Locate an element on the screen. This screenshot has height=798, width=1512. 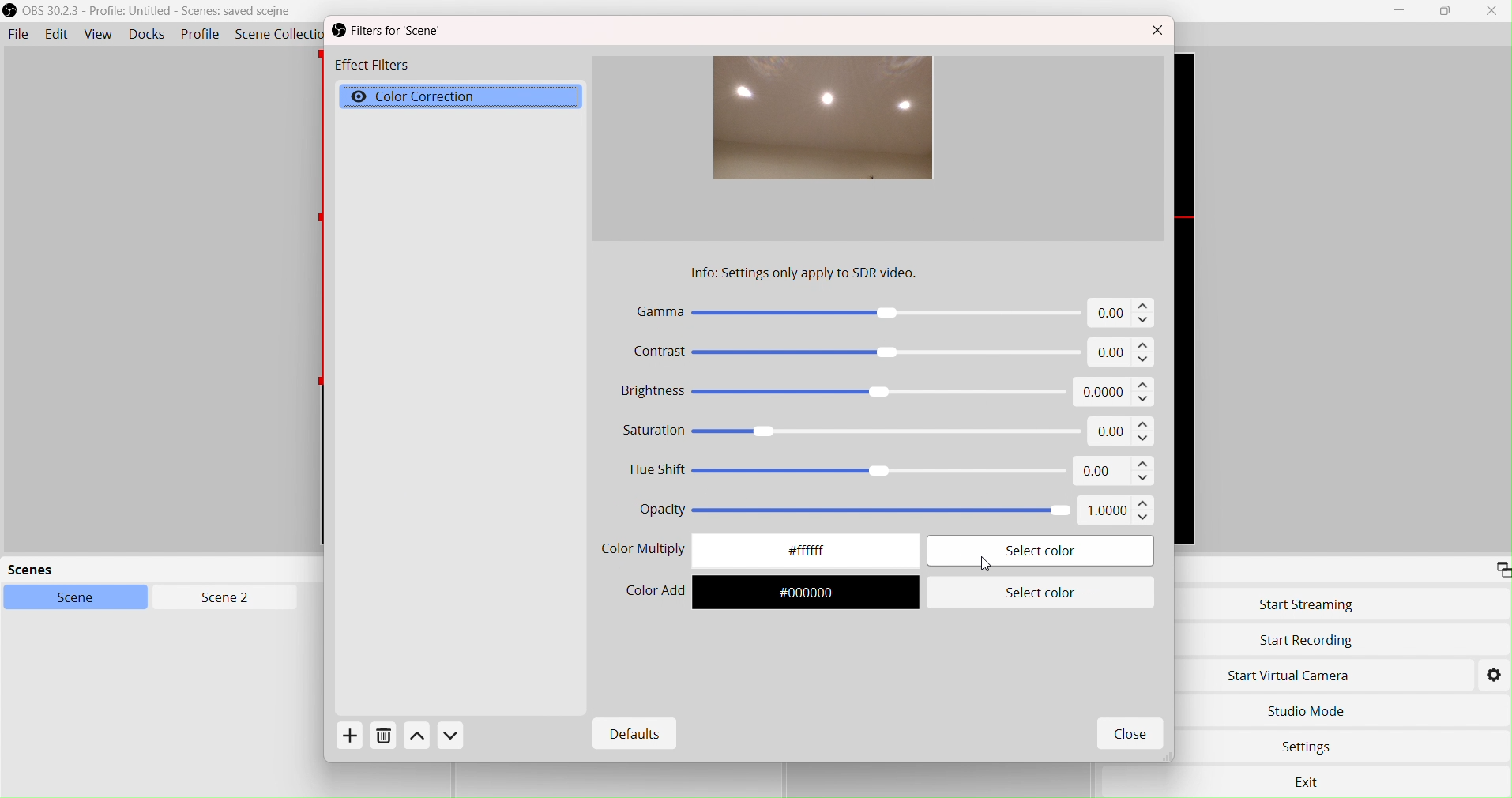
0.00 is located at coordinates (1115, 392).